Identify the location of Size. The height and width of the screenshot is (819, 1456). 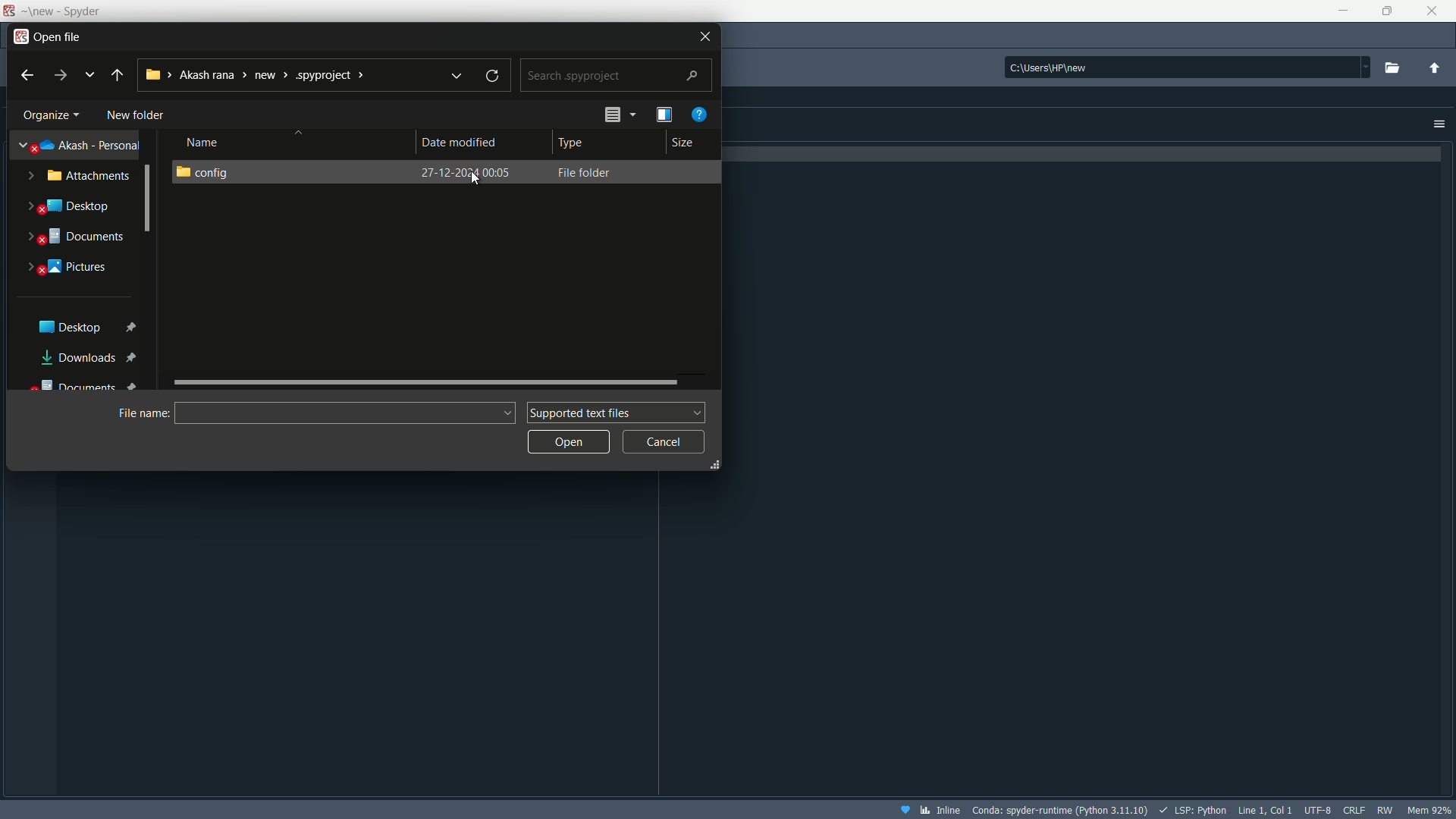
(684, 144).